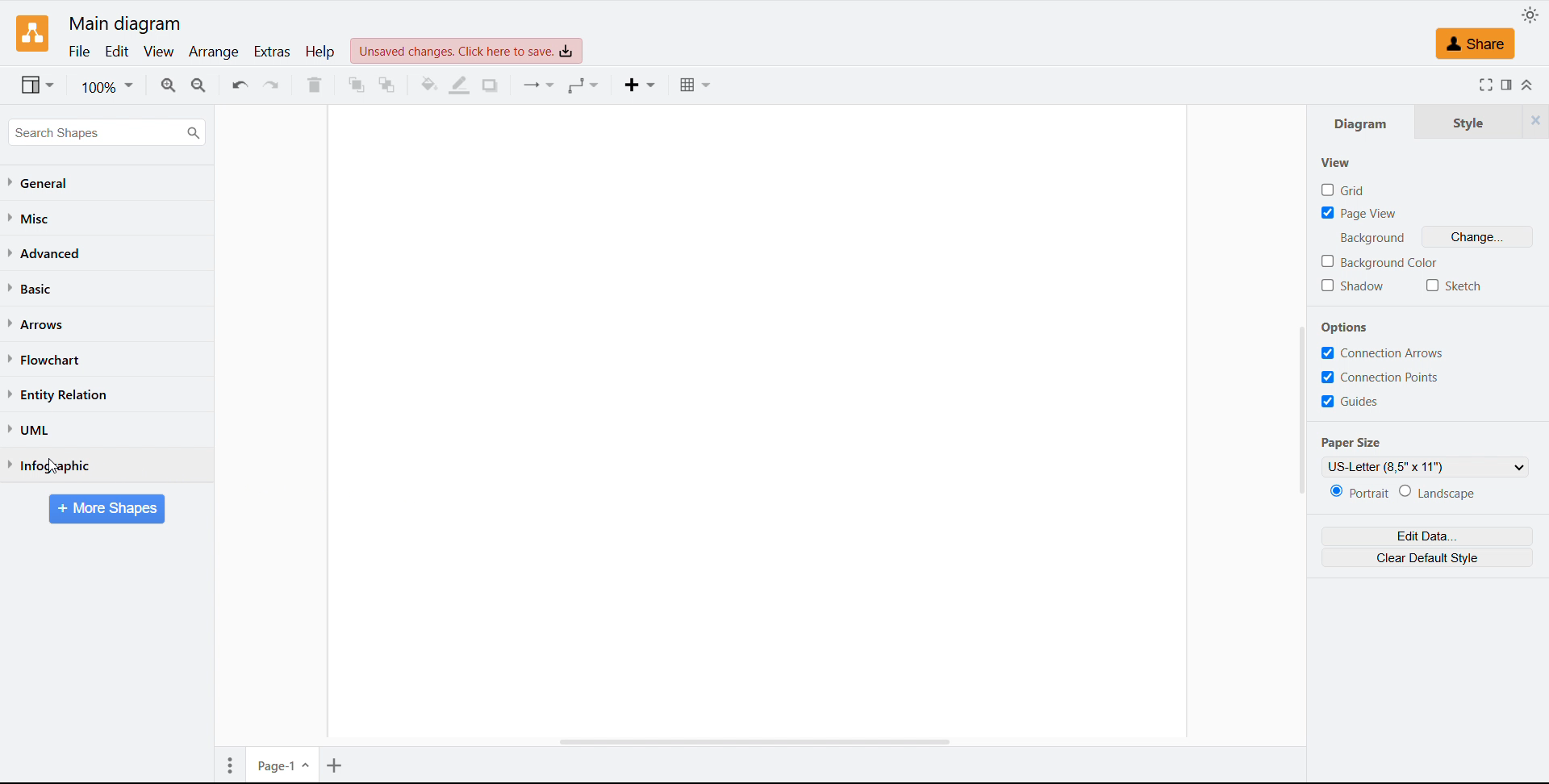  What do you see at coordinates (282, 765) in the screenshot?
I see `Page 1 ` at bounding box center [282, 765].